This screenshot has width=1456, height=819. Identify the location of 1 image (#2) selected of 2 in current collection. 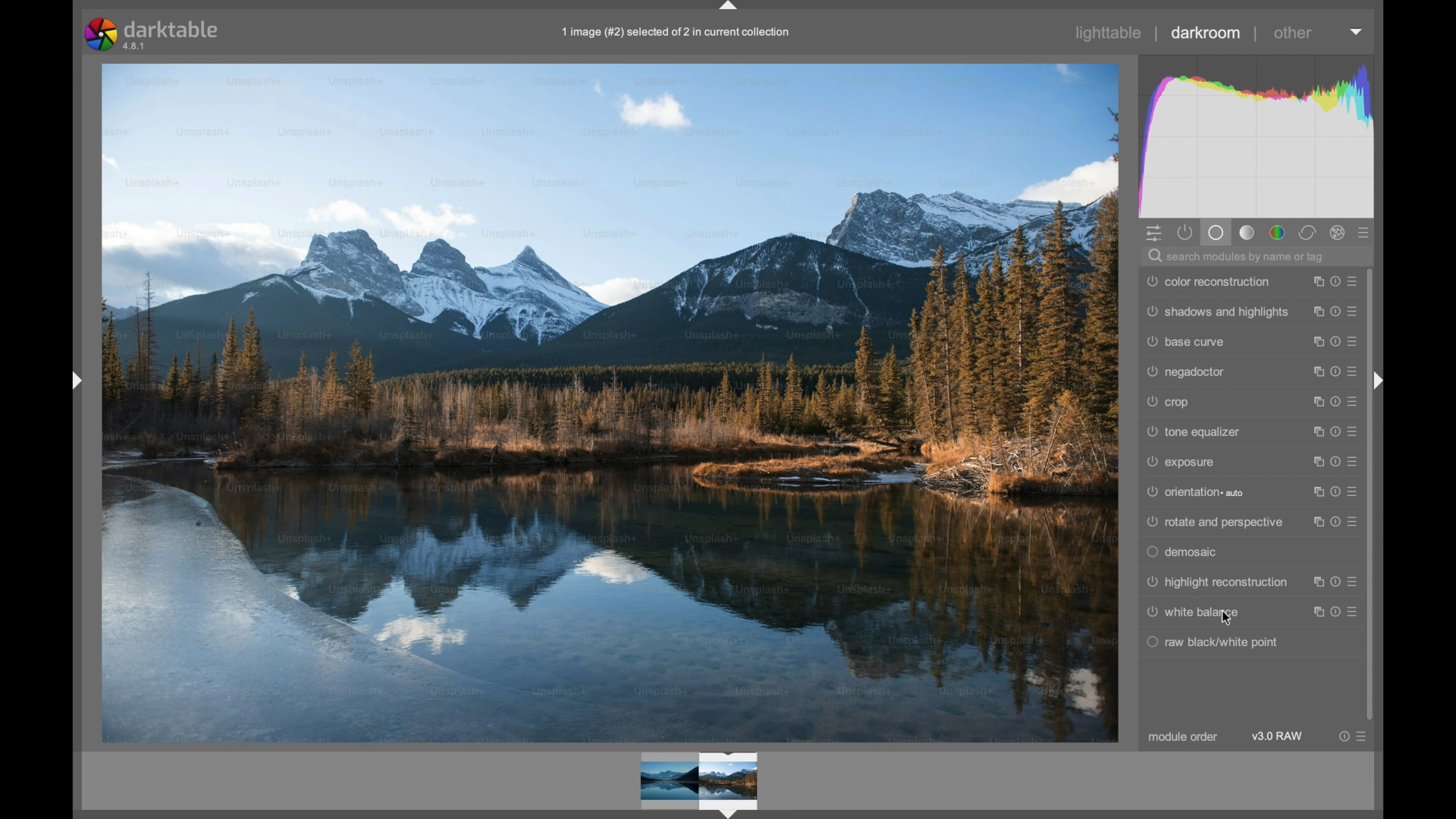
(682, 33).